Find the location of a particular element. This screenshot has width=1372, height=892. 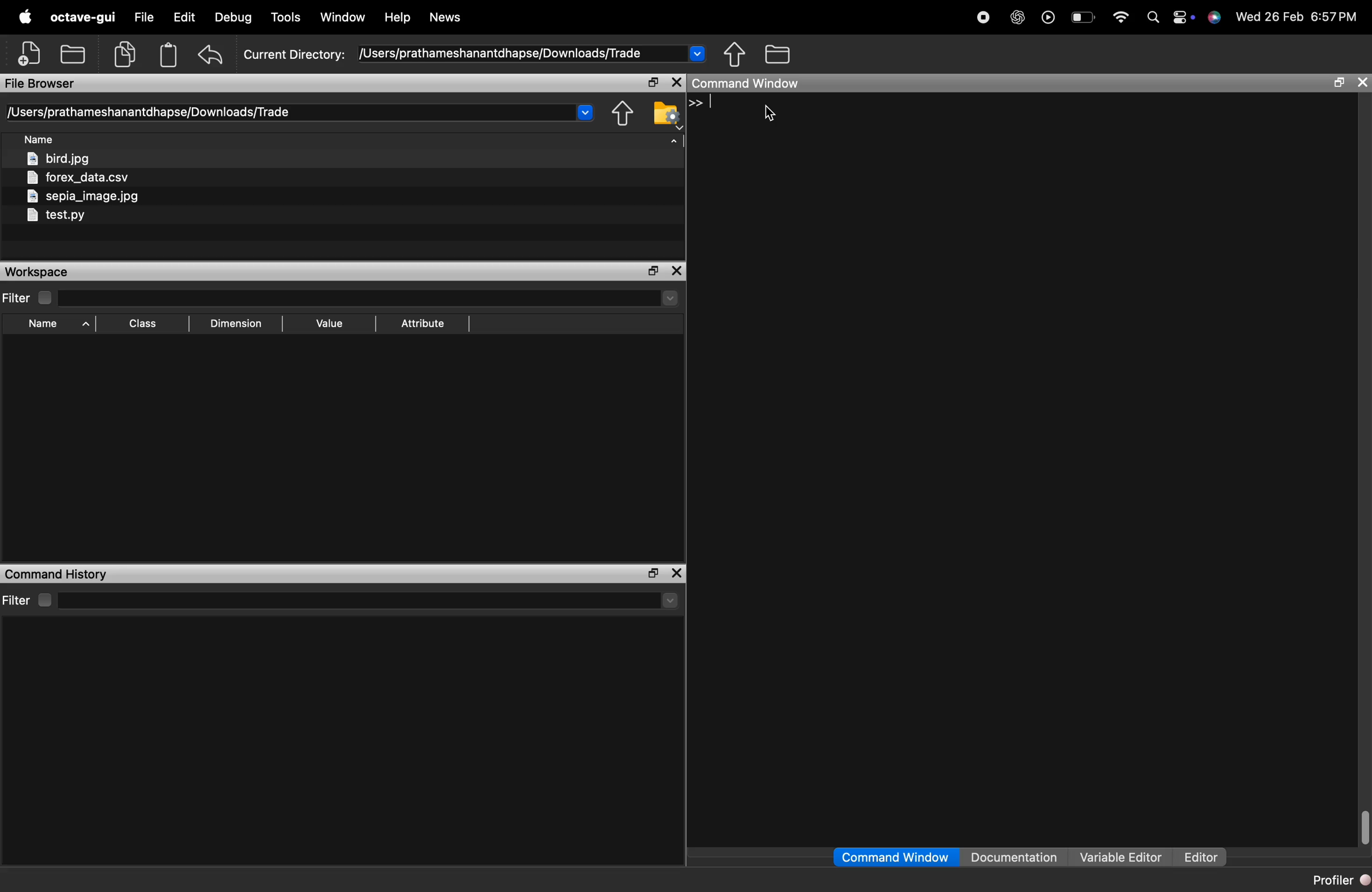

sort by attribute is located at coordinates (426, 324).